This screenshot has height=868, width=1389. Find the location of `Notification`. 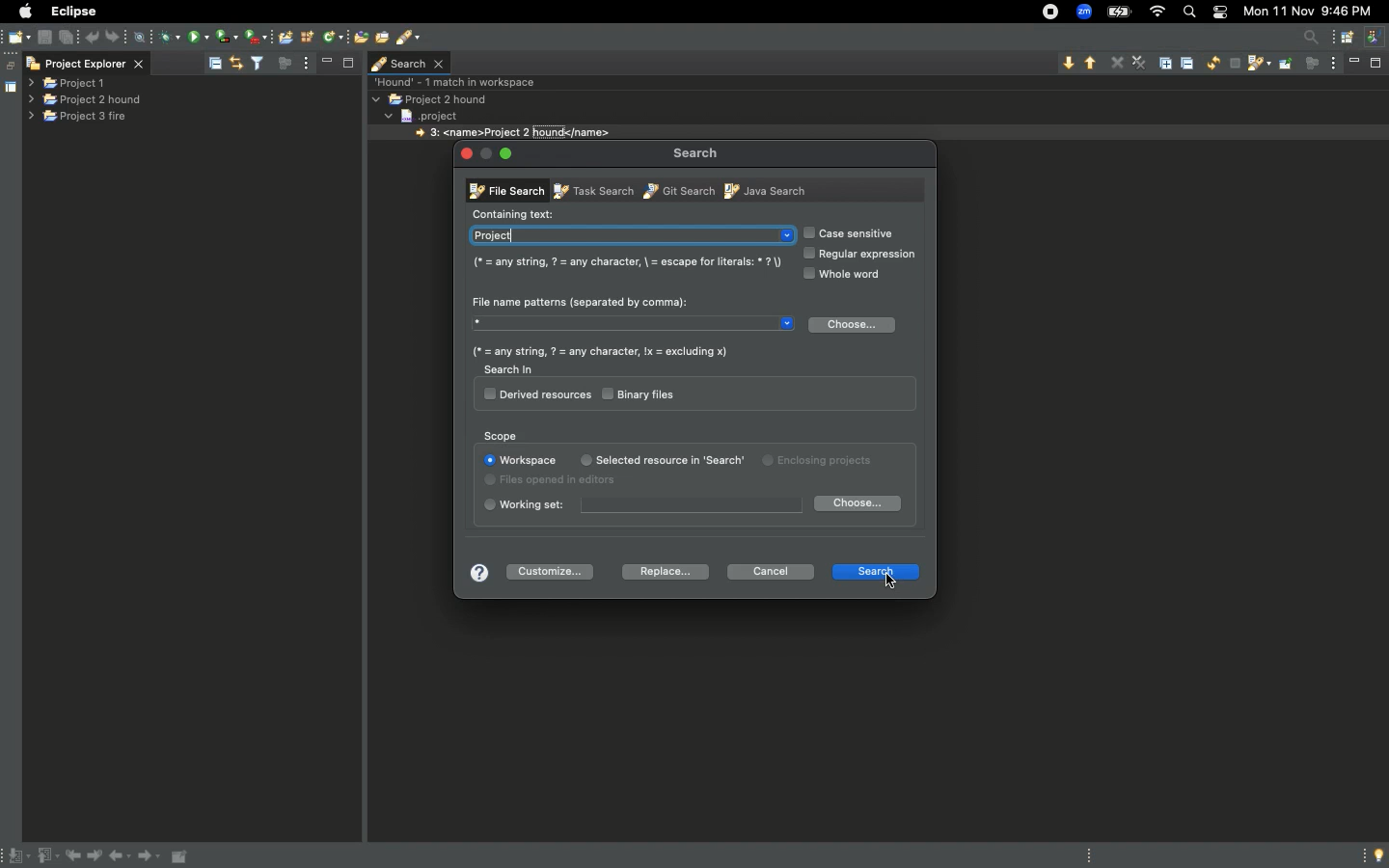

Notification is located at coordinates (1218, 14).